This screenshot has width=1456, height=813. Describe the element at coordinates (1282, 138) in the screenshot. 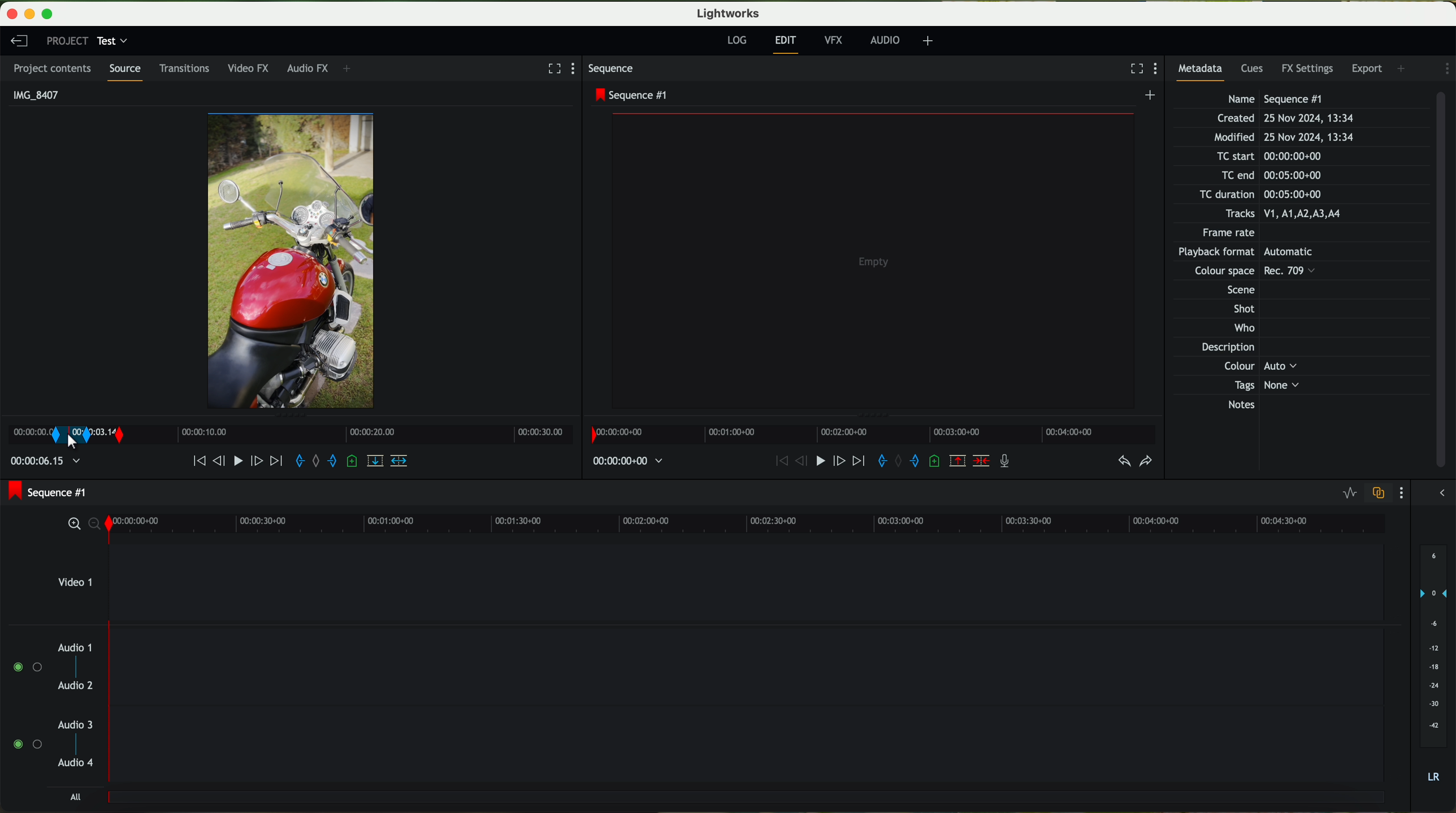

I see `Modified` at that location.